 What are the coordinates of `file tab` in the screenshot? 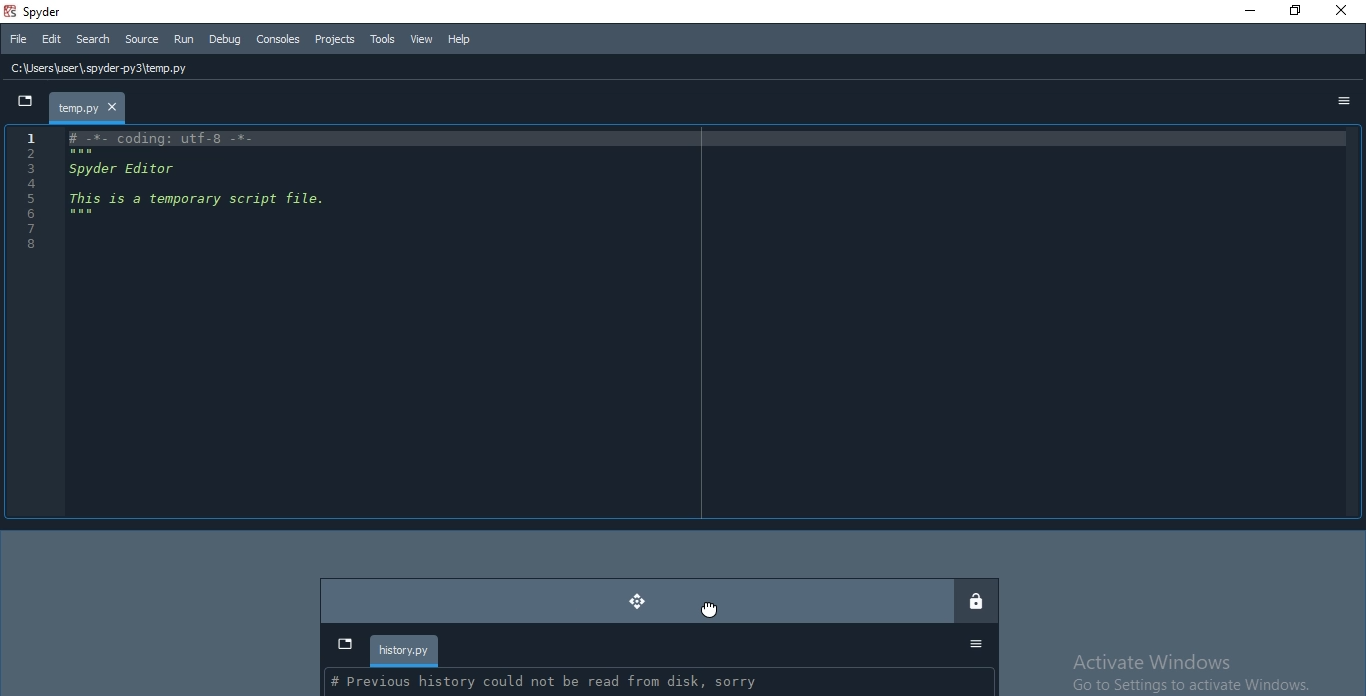 It's located at (86, 106).